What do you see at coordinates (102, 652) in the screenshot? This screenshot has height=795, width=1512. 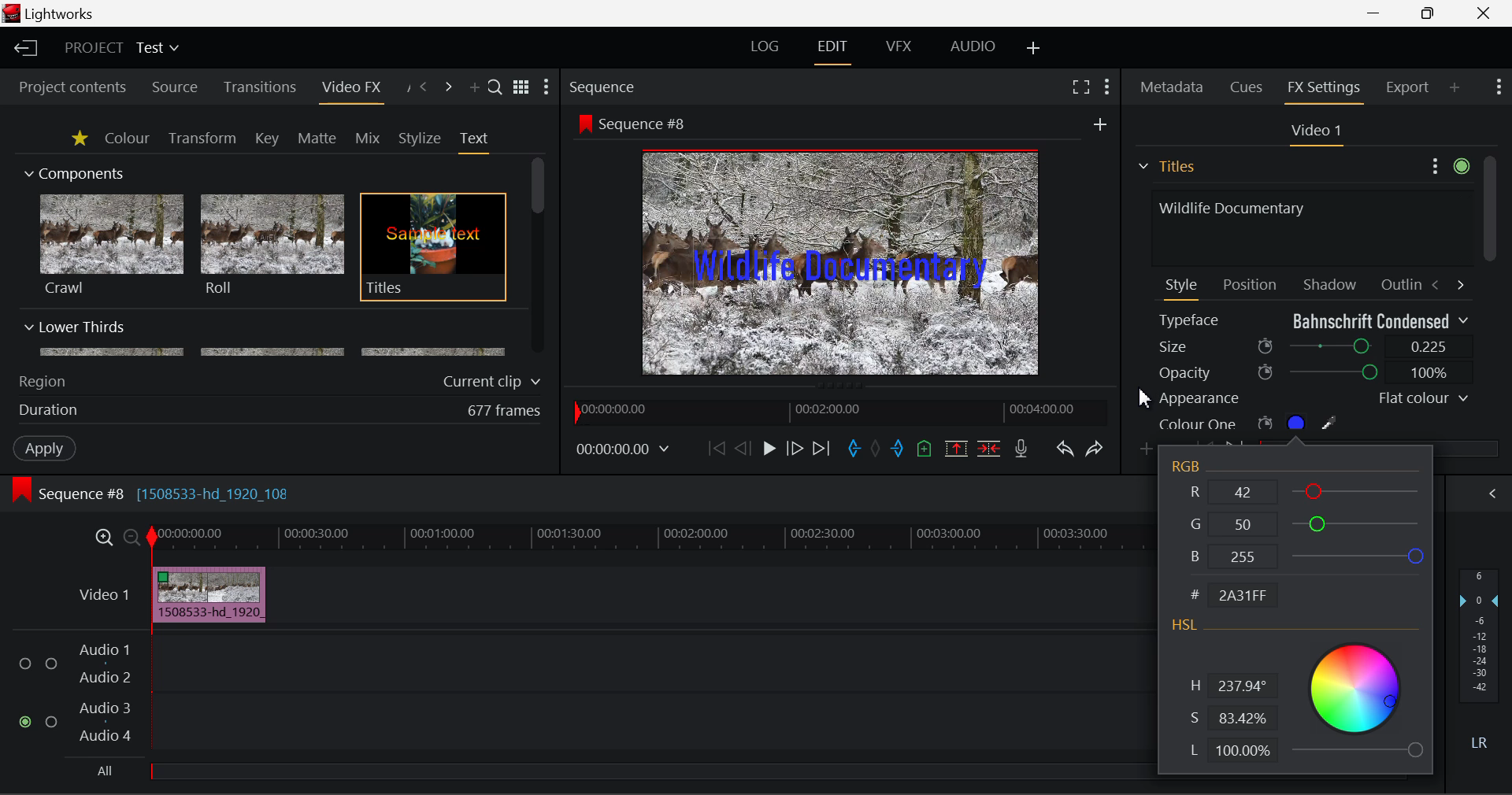 I see `Audio 1` at bounding box center [102, 652].